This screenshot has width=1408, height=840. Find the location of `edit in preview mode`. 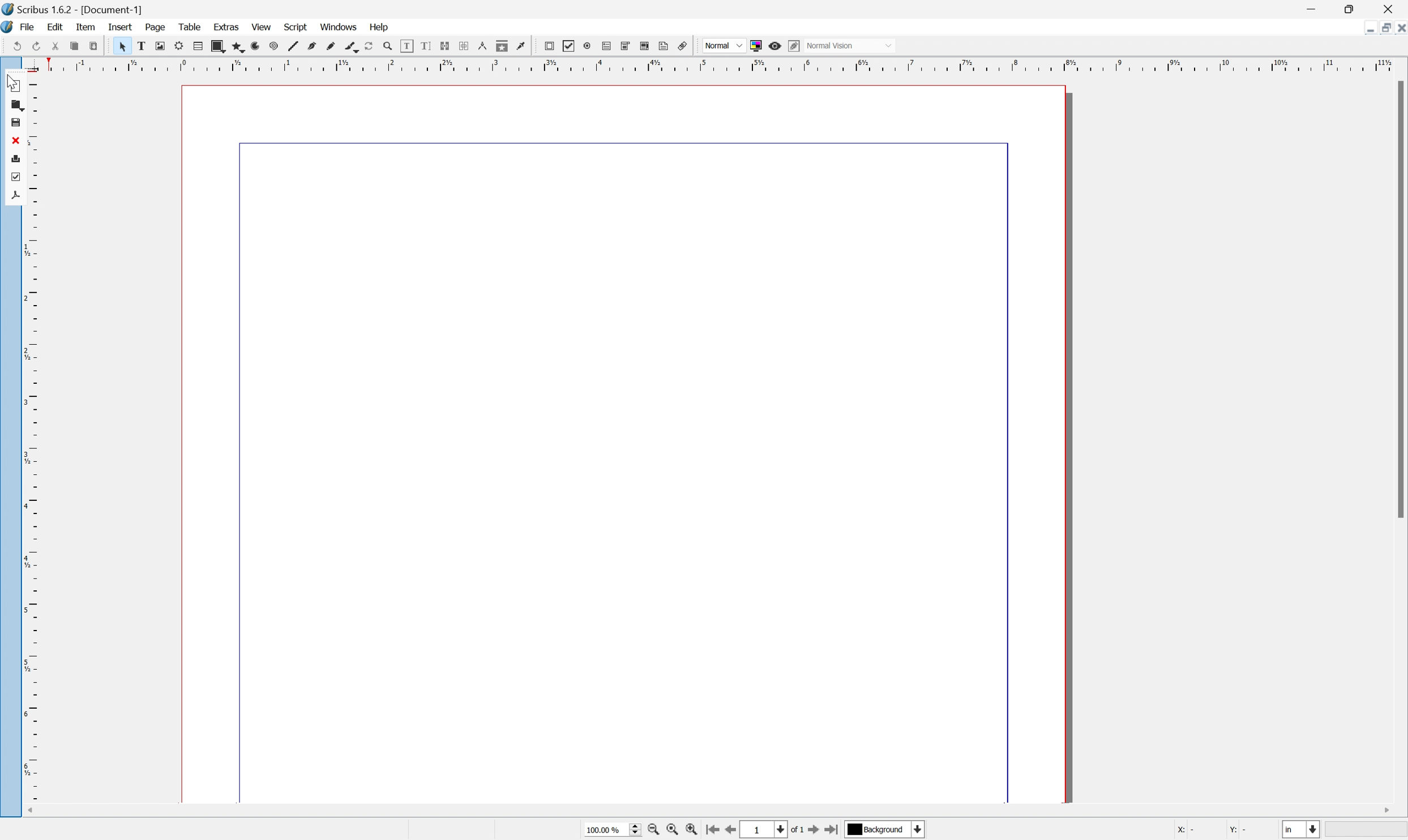

edit in preview mode is located at coordinates (793, 45).